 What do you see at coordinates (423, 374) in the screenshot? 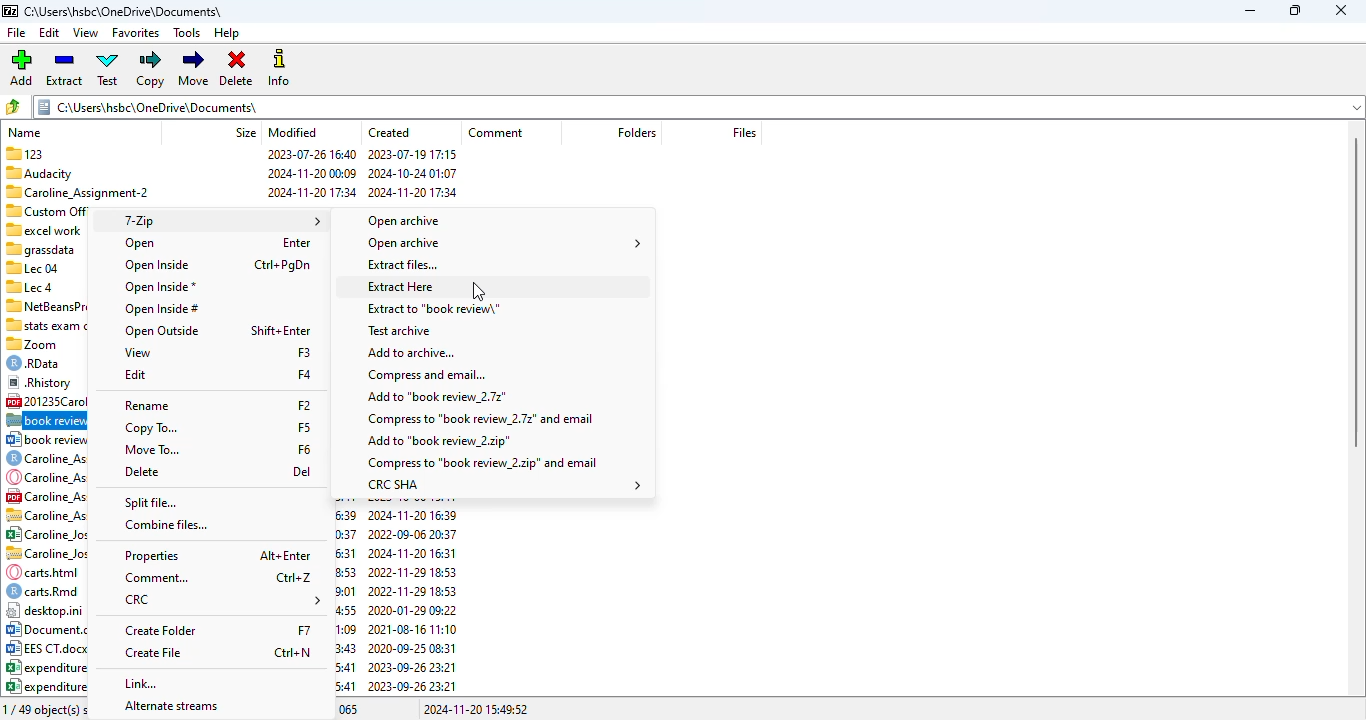
I see `compress and email` at bounding box center [423, 374].